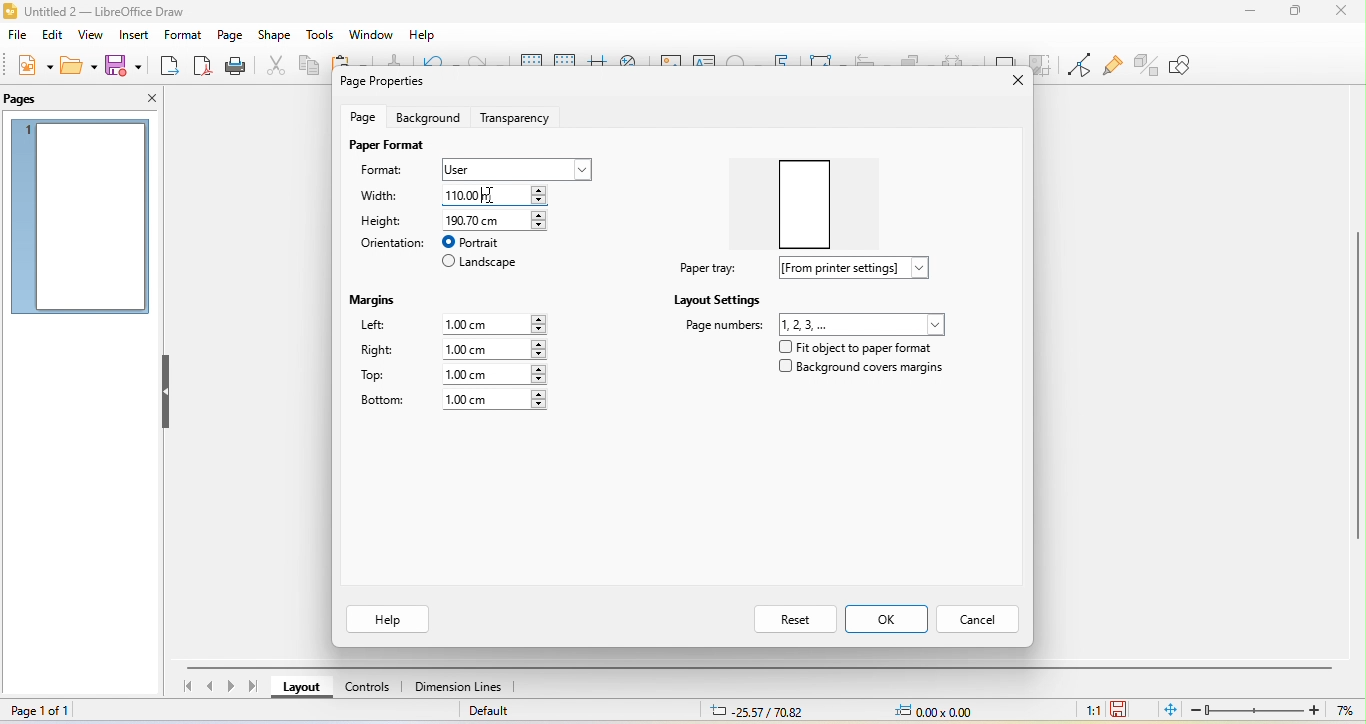 Image resolution: width=1366 pixels, height=724 pixels. Describe the element at coordinates (321, 36) in the screenshot. I see `tools` at that location.